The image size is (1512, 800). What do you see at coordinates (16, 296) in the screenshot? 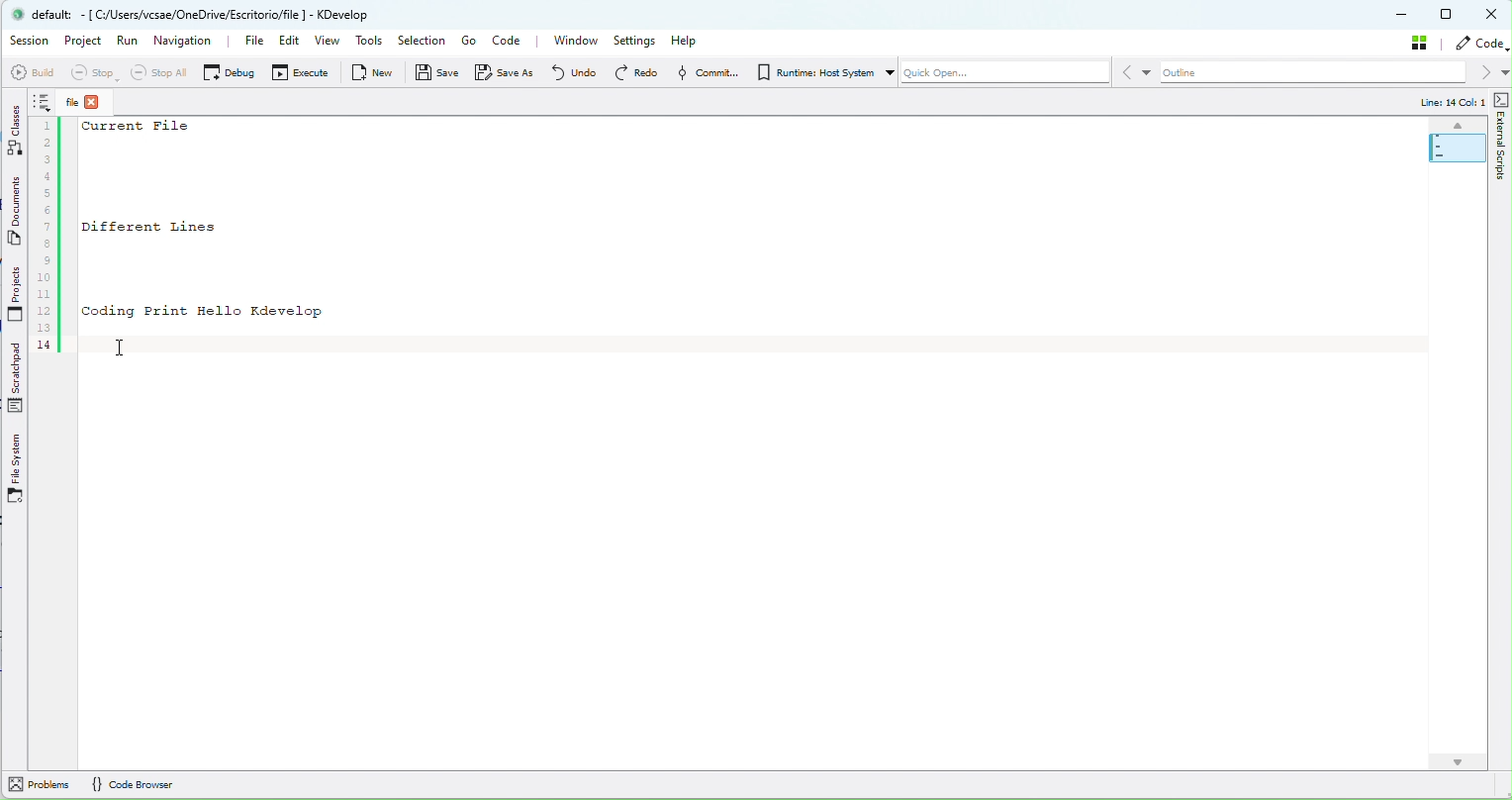
I see `Projects` at bounding box center [16, 296].